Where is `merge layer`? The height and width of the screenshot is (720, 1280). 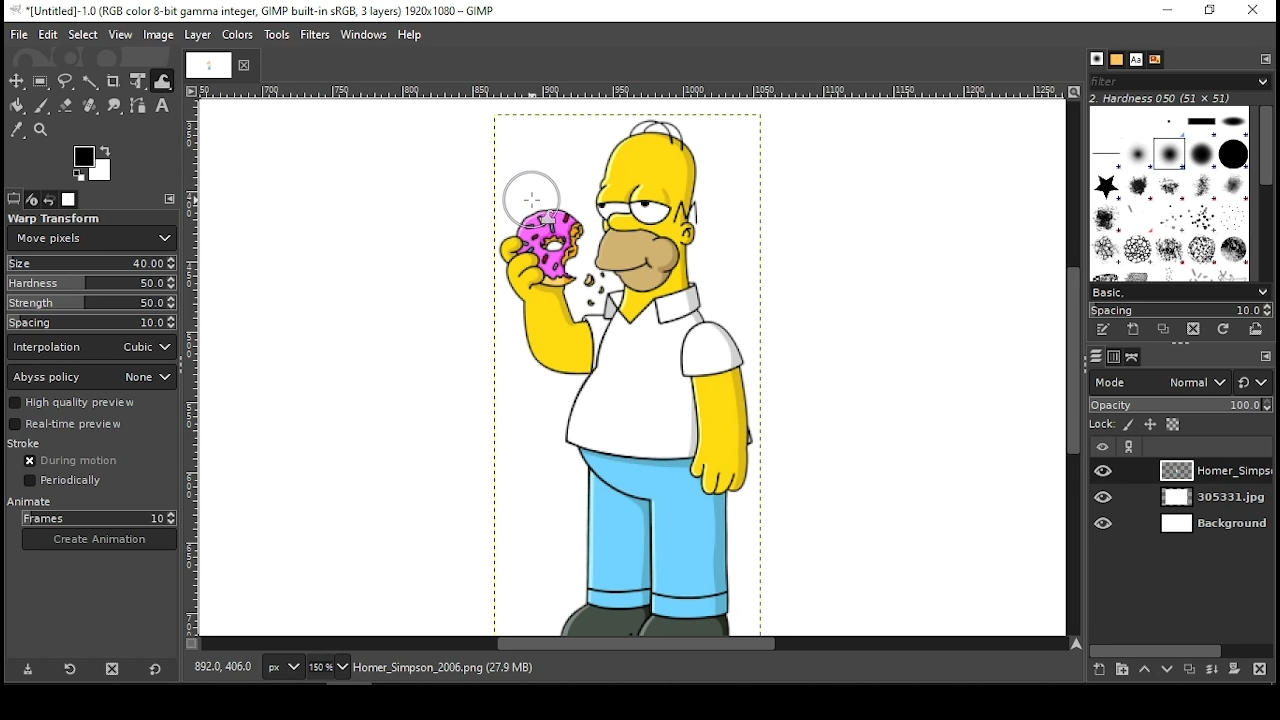 merge layer is located at coordinates (1212, 669).